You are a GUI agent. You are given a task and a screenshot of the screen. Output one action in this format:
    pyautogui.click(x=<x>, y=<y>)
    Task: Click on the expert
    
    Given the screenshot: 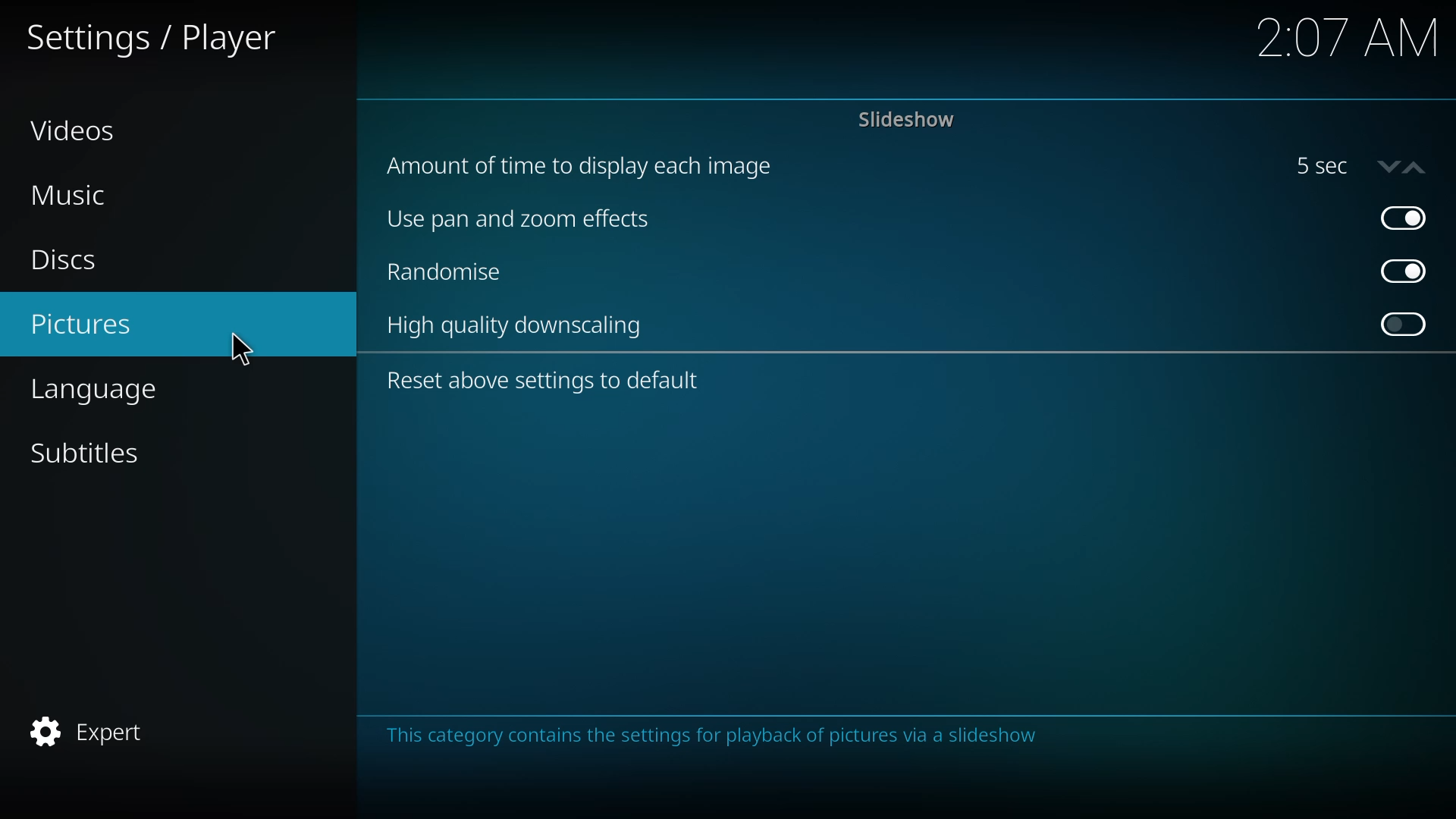 What is the action you would take?
    pyautogui.click(x=93, y=731)
    